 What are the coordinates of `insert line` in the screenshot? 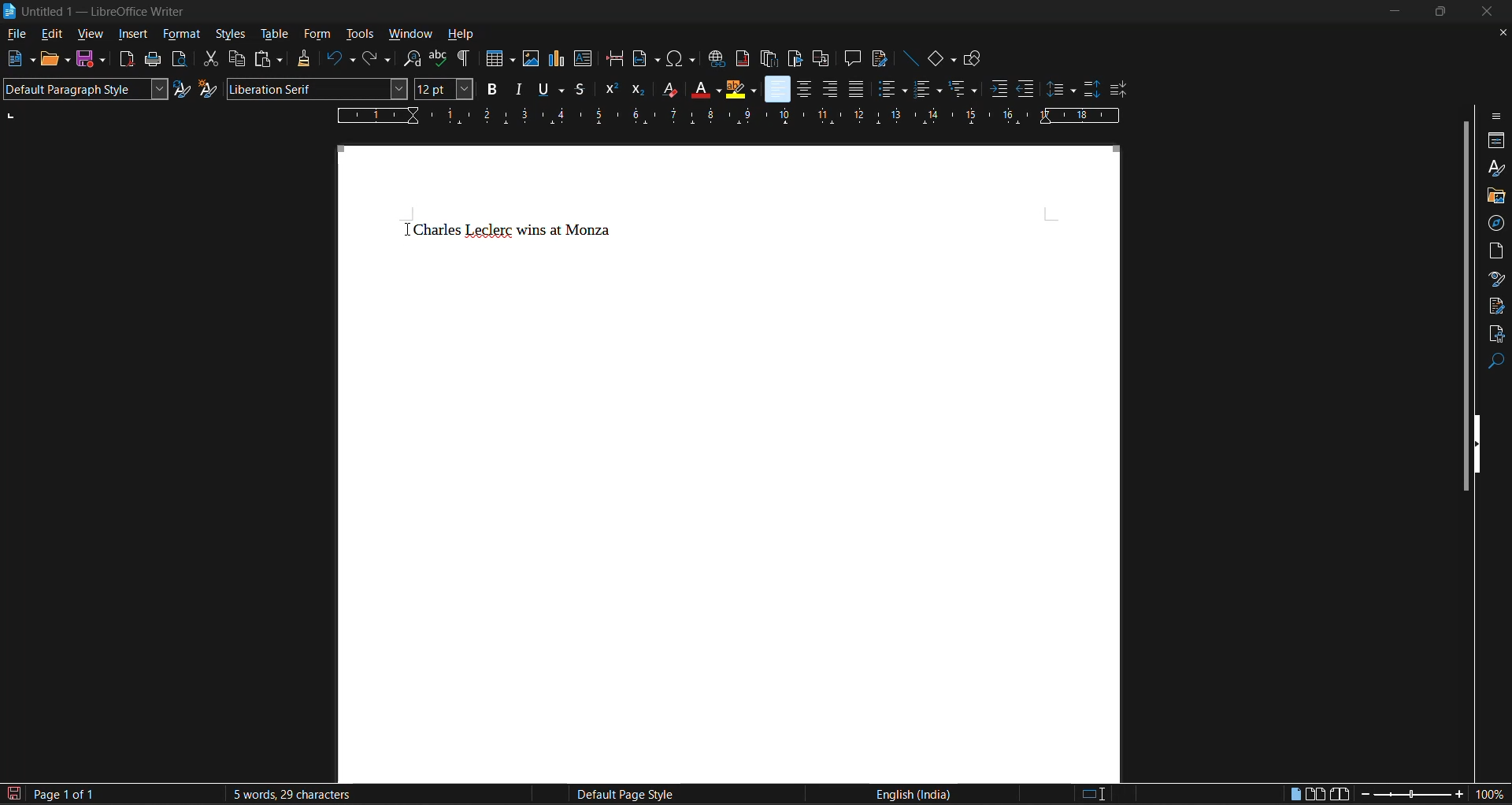 It's located at (912, 57).